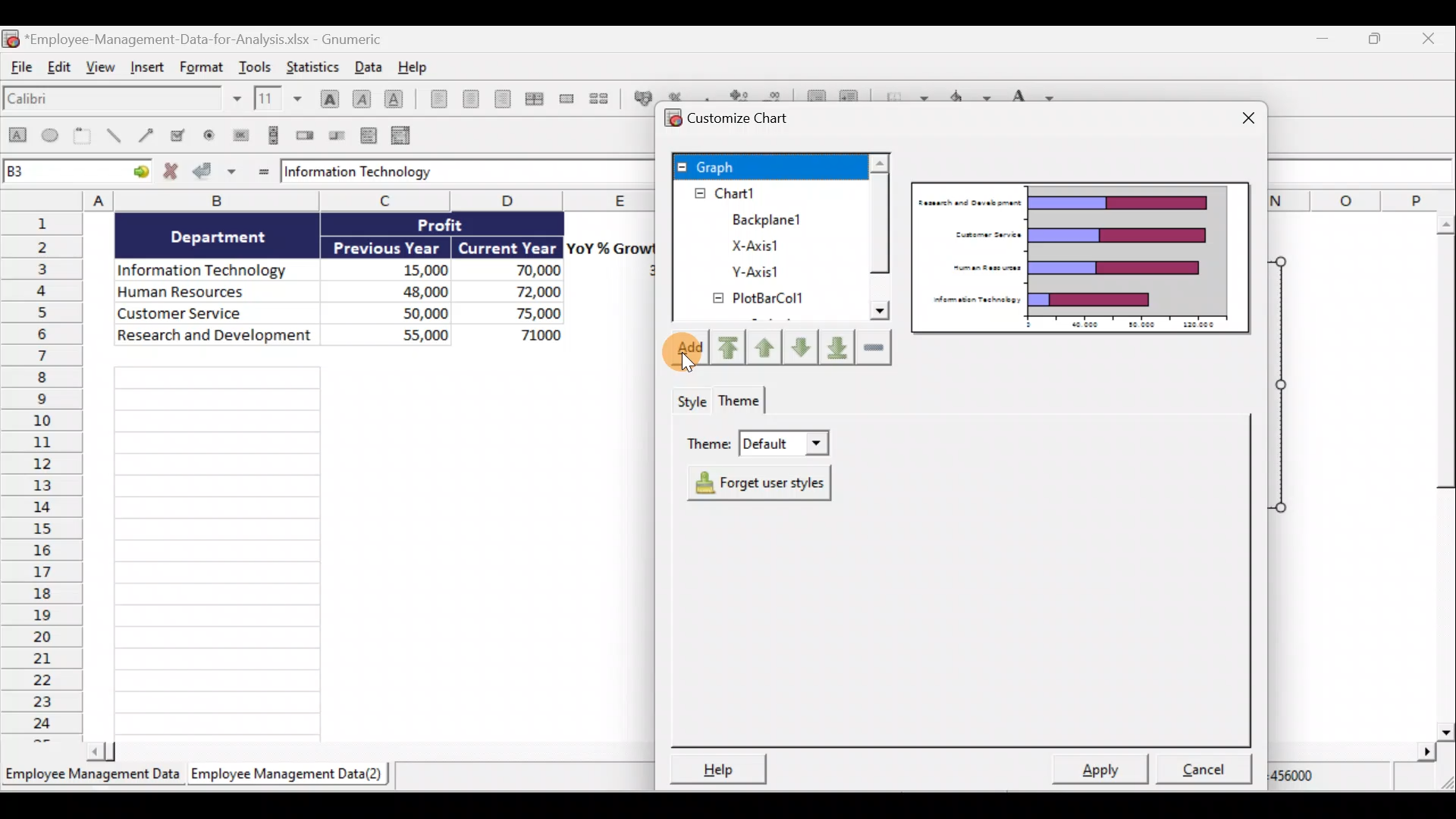 This screenshot has width=1456, height=819. Describe the element at coordinates (306, 136) in the screenshot. I see `Create a spin button` at that location.